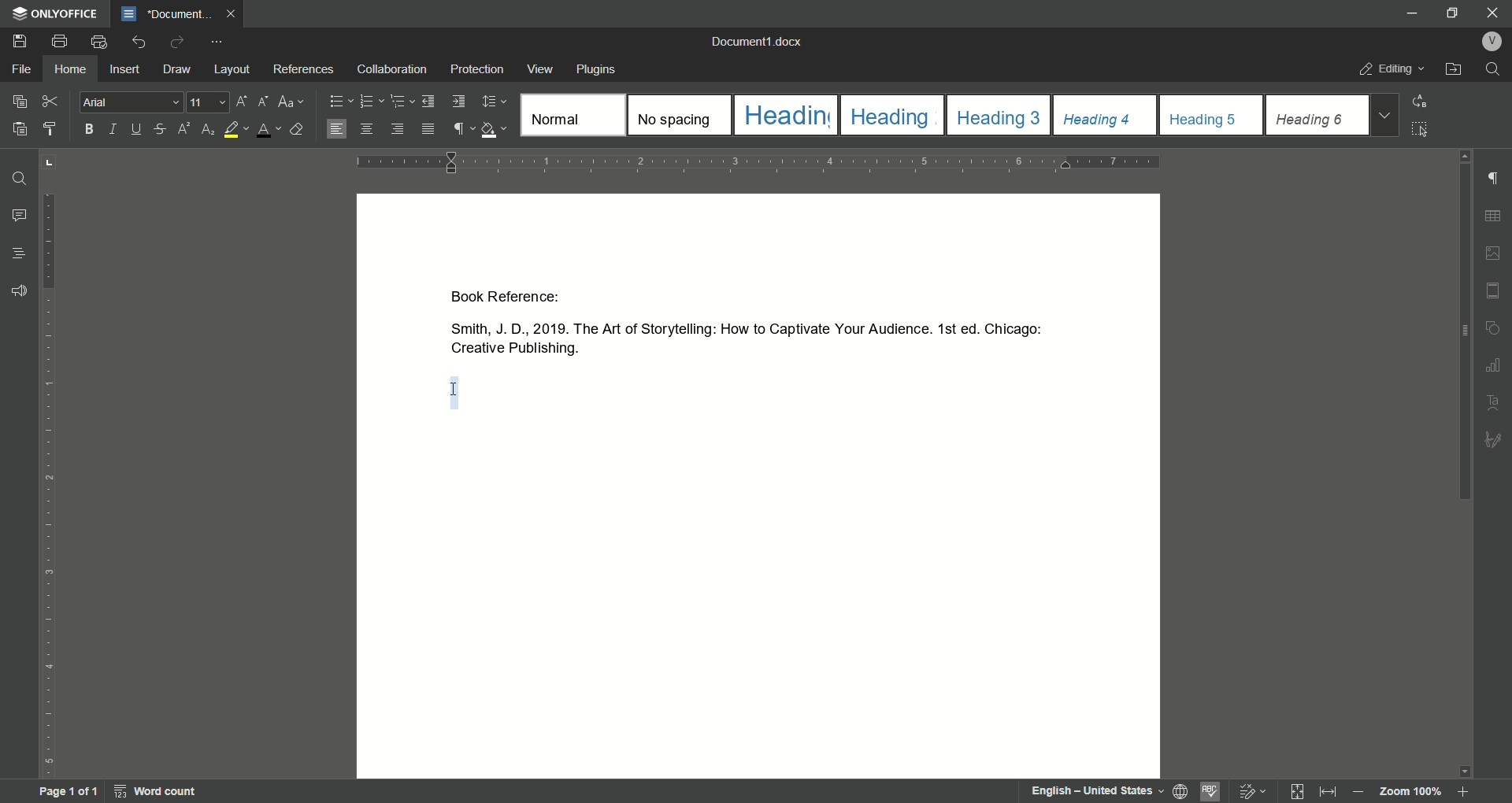 The height and width of the screenshot is (803, 1512). I want to click on font name, so click(133, 102).